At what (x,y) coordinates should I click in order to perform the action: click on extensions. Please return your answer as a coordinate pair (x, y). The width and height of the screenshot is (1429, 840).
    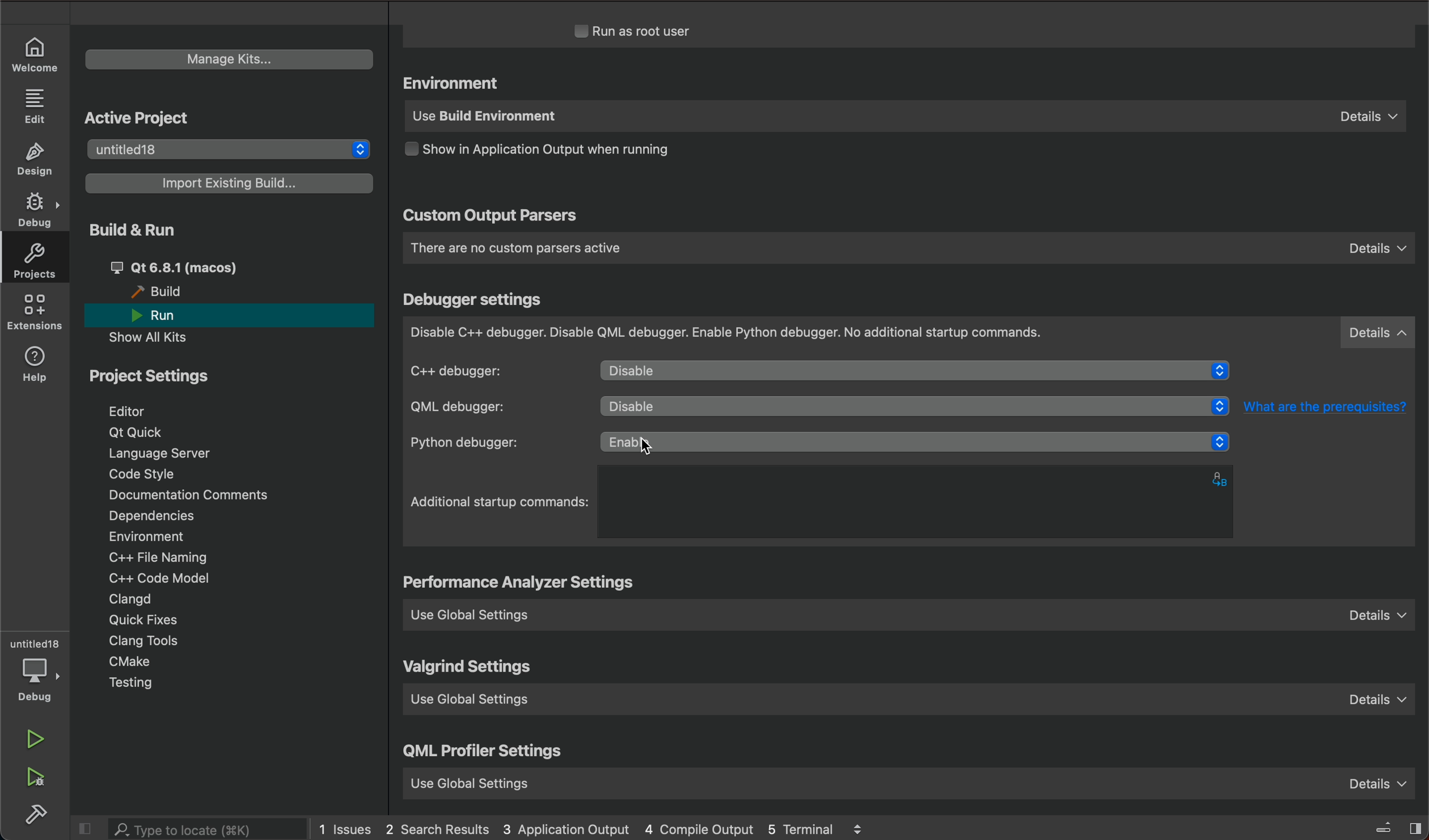
    Looking at the image, I should click on (37, 315).